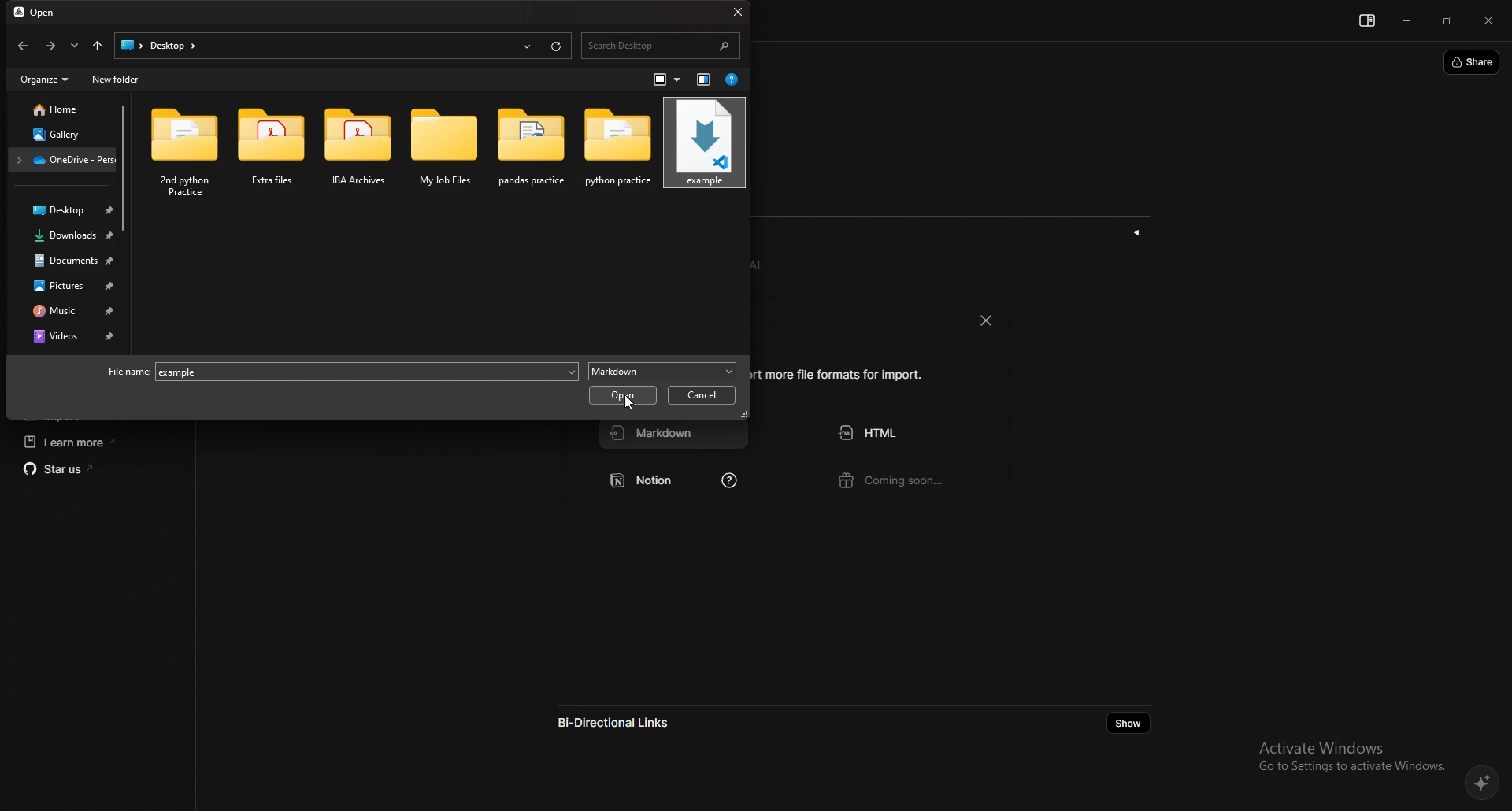  What do you see at coordinates (43, 13) in the screenshot?
I see `open` at bounding box center [43, 13].